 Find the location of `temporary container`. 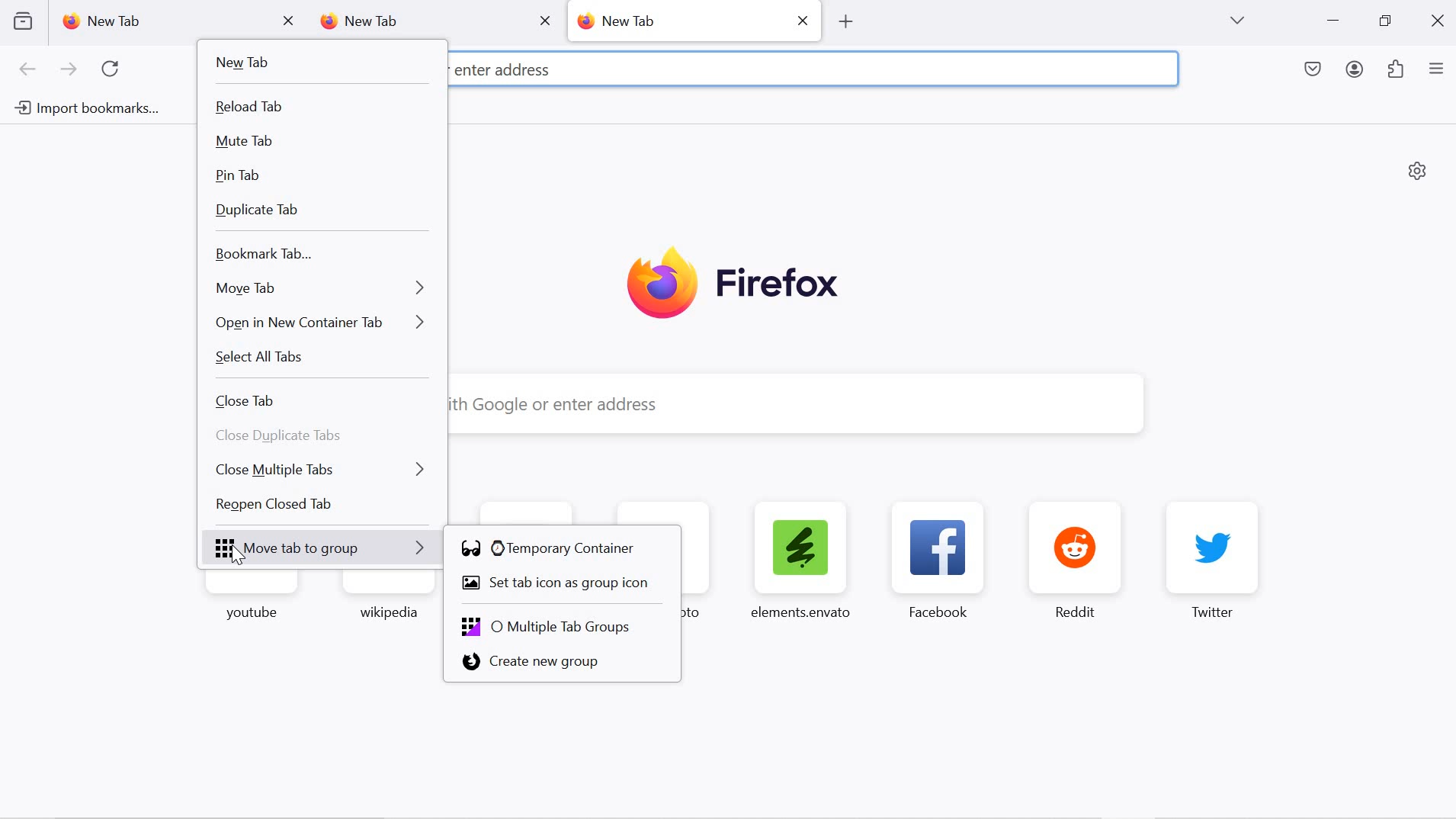

temporary container is located at coordinates (562, 548).